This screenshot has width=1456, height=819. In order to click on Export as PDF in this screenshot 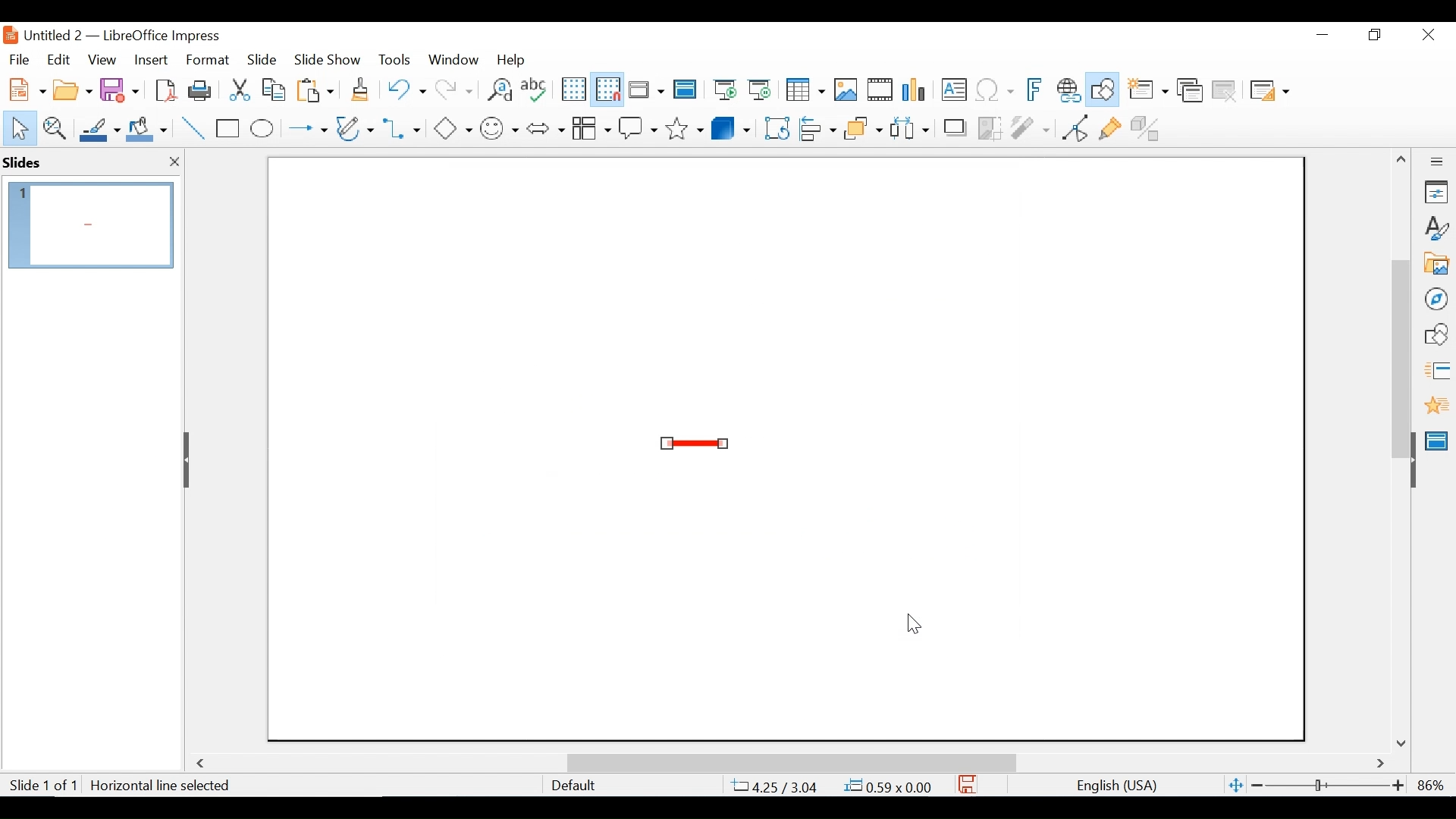, I will do `click(165, 89)`.